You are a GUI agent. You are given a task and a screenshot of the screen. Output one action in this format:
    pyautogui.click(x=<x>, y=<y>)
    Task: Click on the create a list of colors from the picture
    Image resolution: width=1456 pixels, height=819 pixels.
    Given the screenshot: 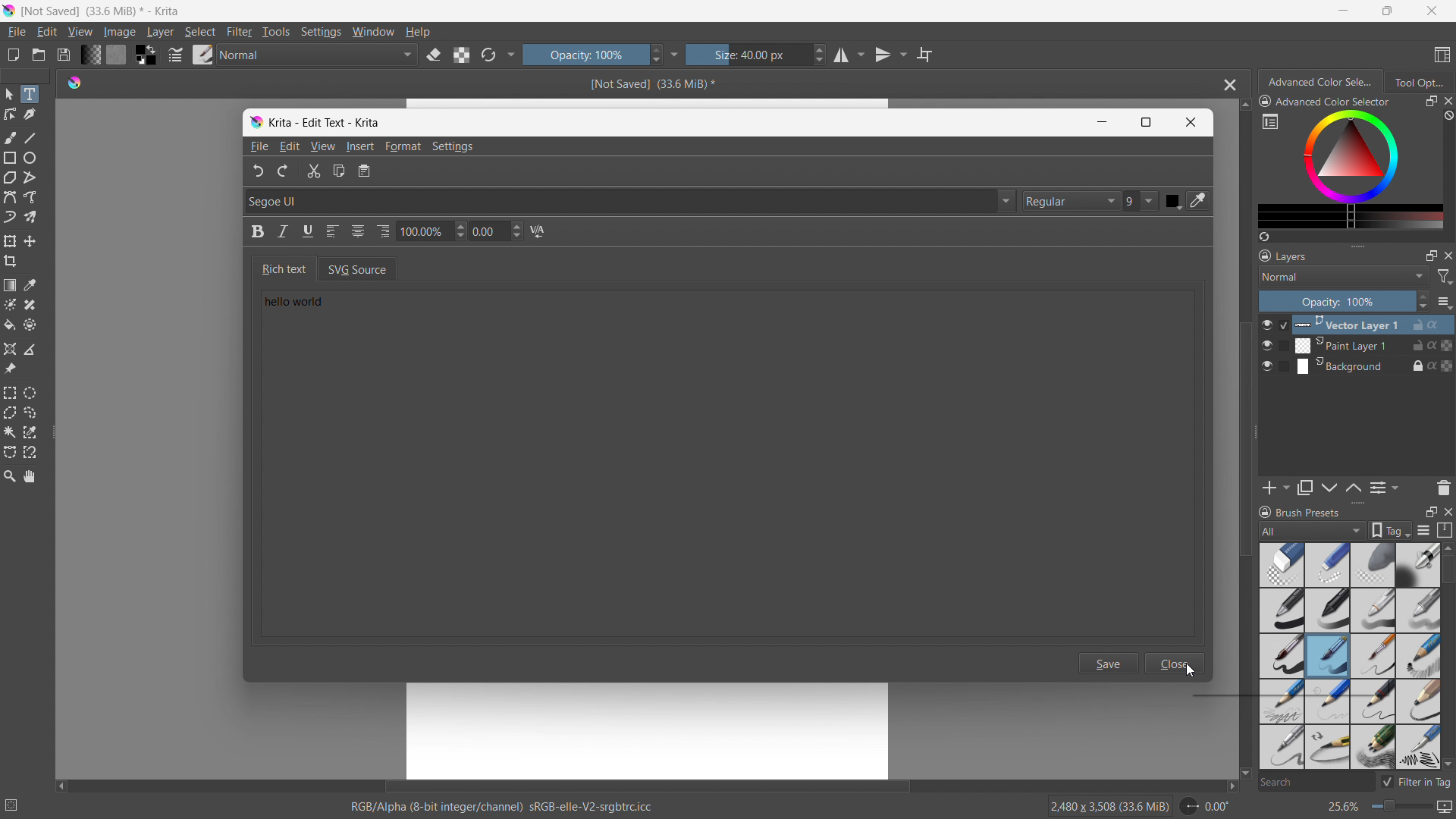 What is the action you would take?
    pyautogui.click(x=1264, y=237)
    